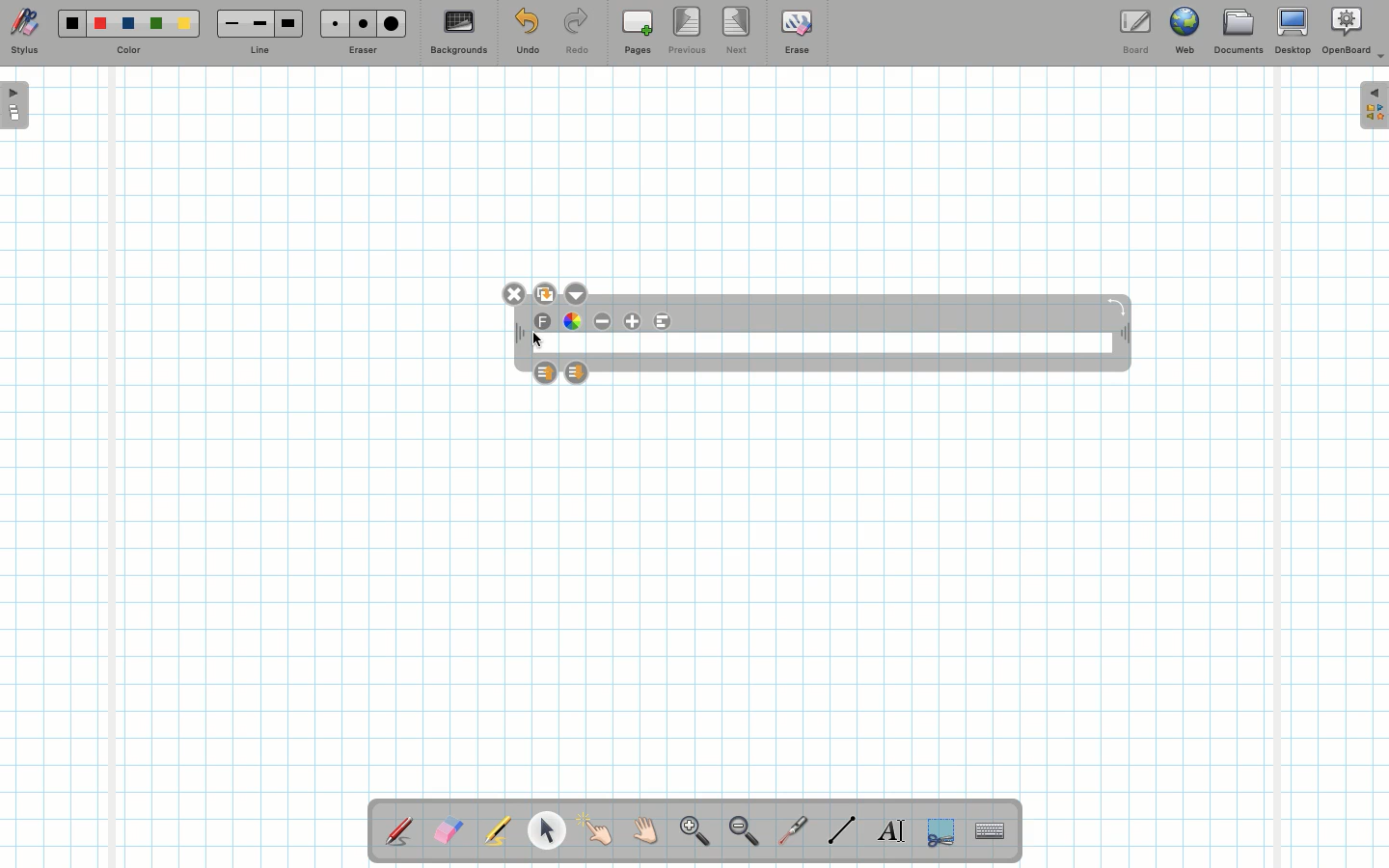  What do you see at coordinates (646, 833) in the screenshot?
I see `Grab` at bounding box center [646, 833].